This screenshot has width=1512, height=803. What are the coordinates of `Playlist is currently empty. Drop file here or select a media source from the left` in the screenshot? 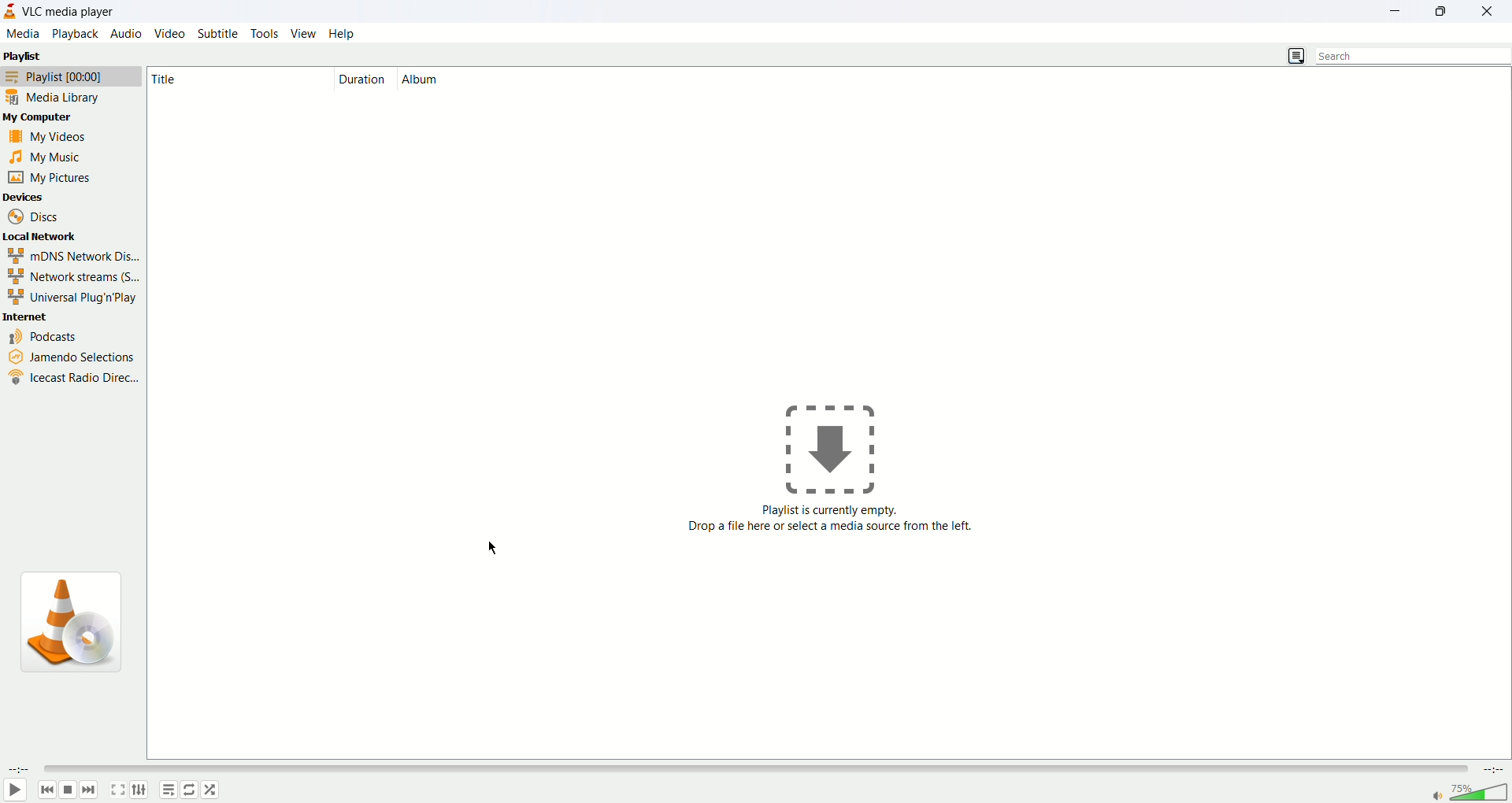 It's located at (825, 527).